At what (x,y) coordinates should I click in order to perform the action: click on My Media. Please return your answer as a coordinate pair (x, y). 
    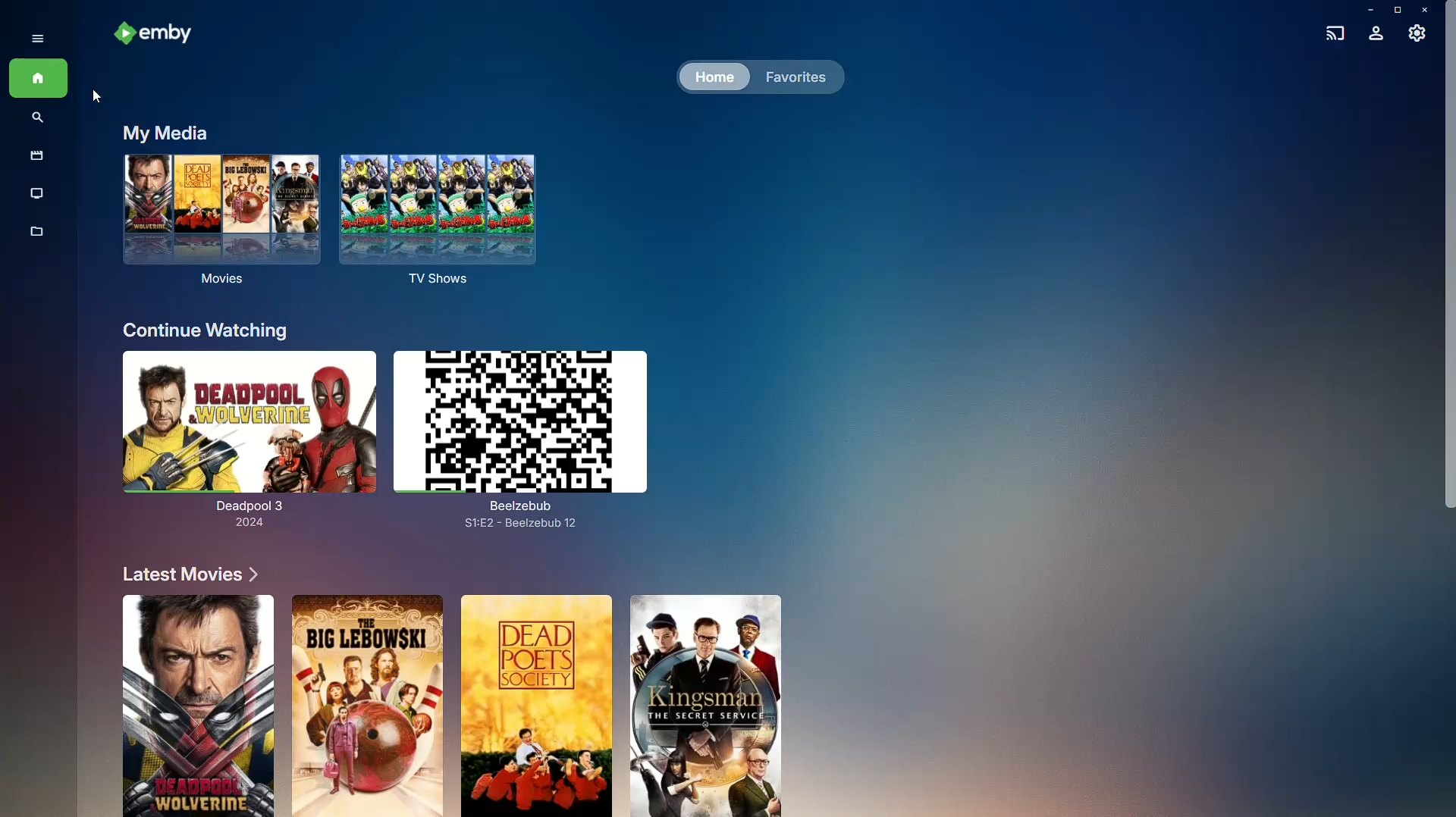
    Looking at the image, I should click on (162, 132).